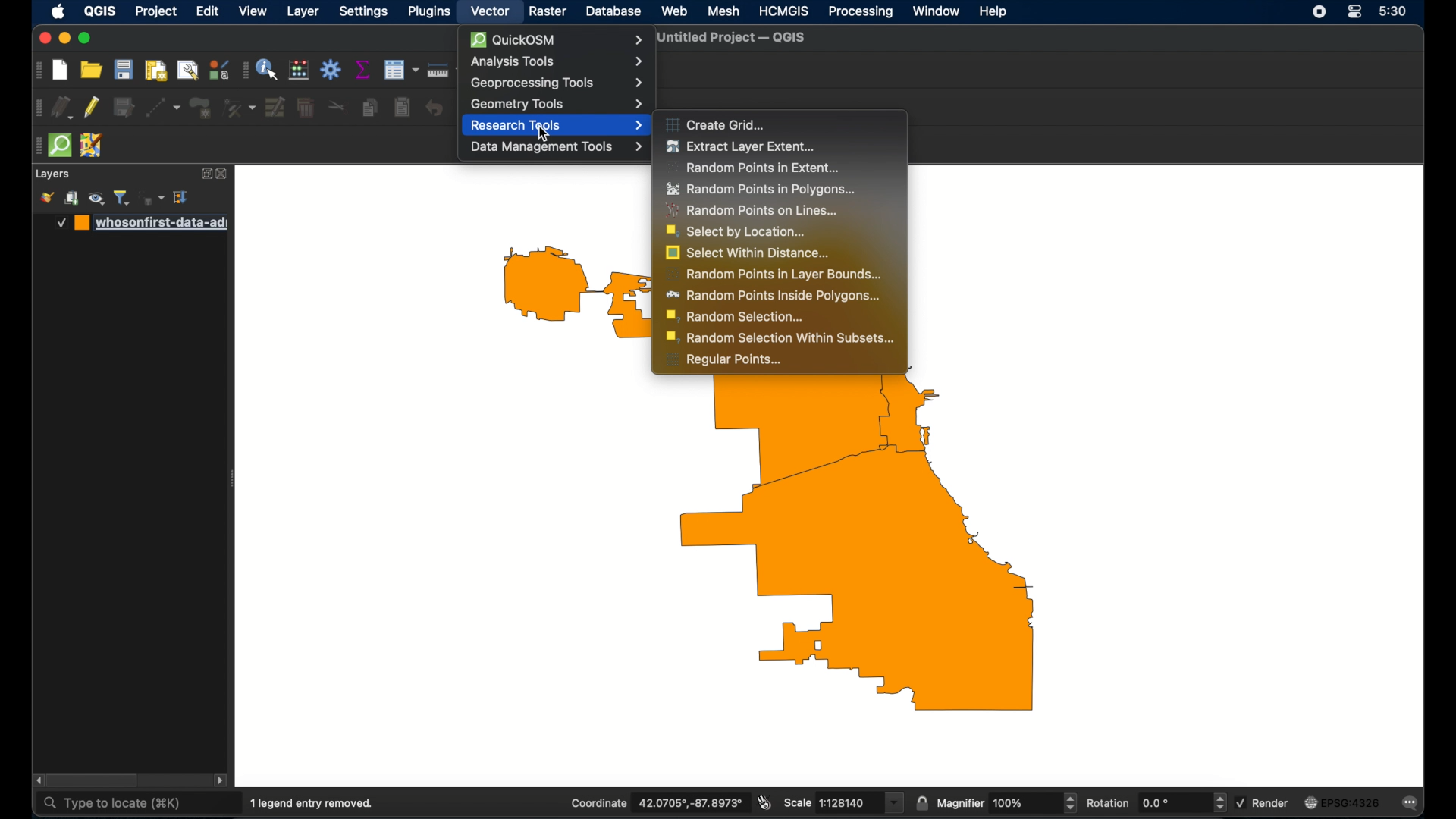  Describe the element at coordinates (43, 39) in the screenshot. I see `close` at that location.